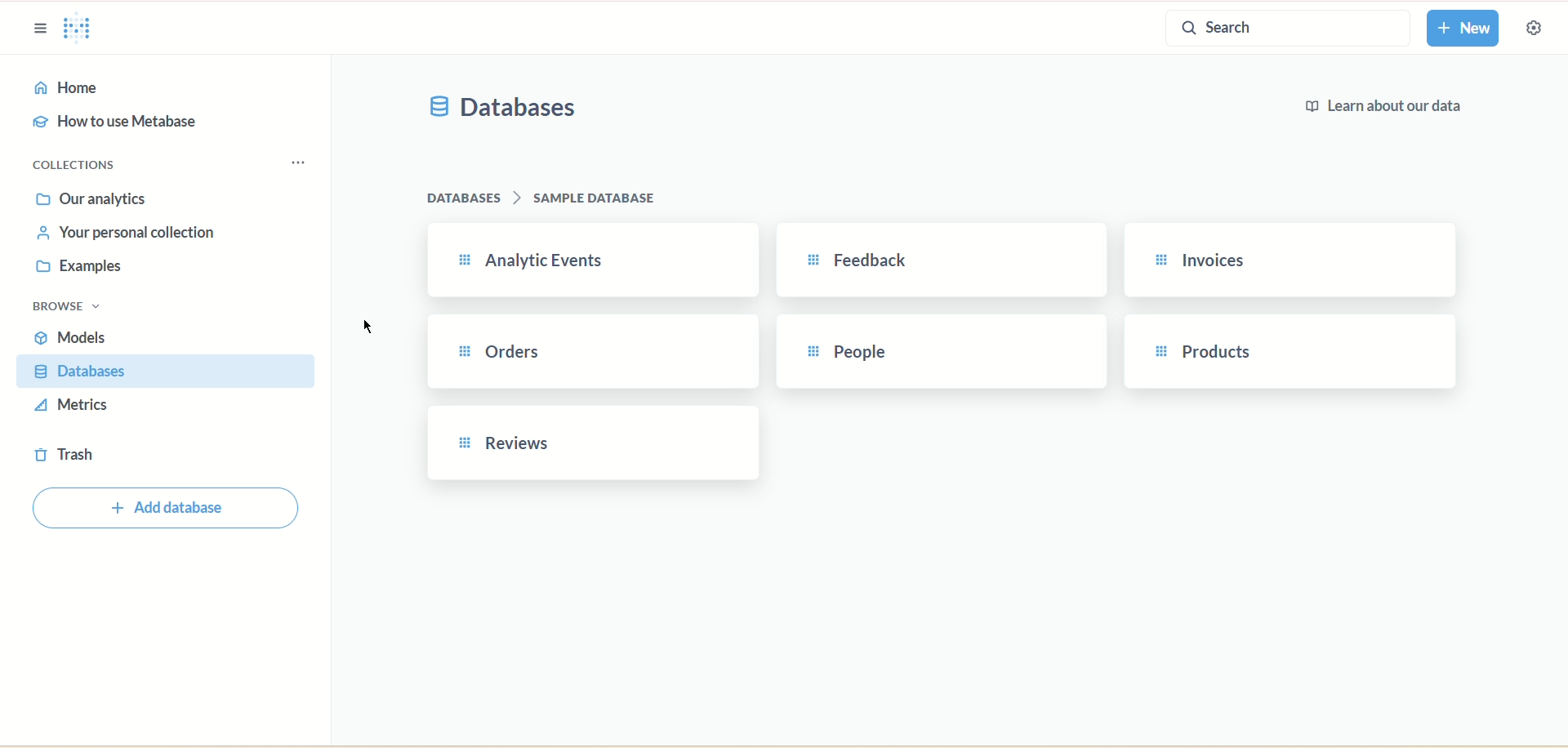  What do you see at coordinates (943, 259) in the screenshot?
I see `feedback` at bounding box center [943, 259].